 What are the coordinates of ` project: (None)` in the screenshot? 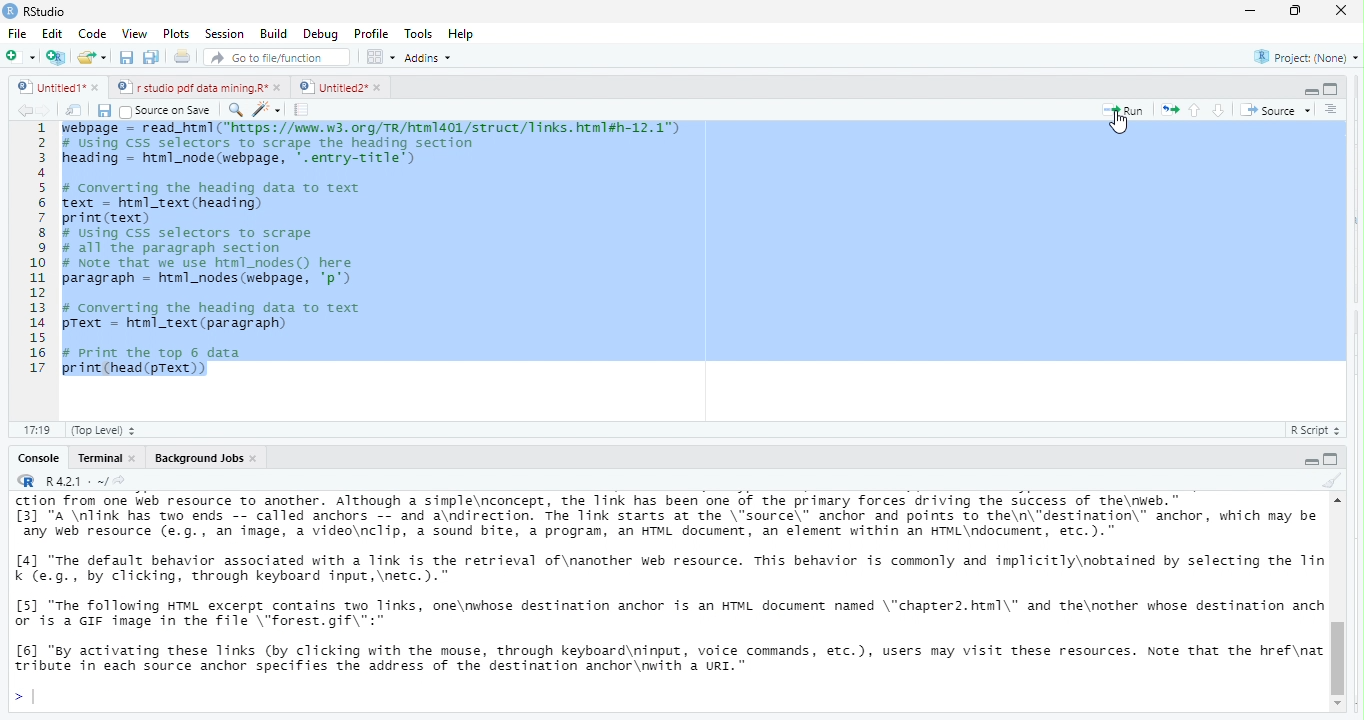 It's located at (1307, 60).